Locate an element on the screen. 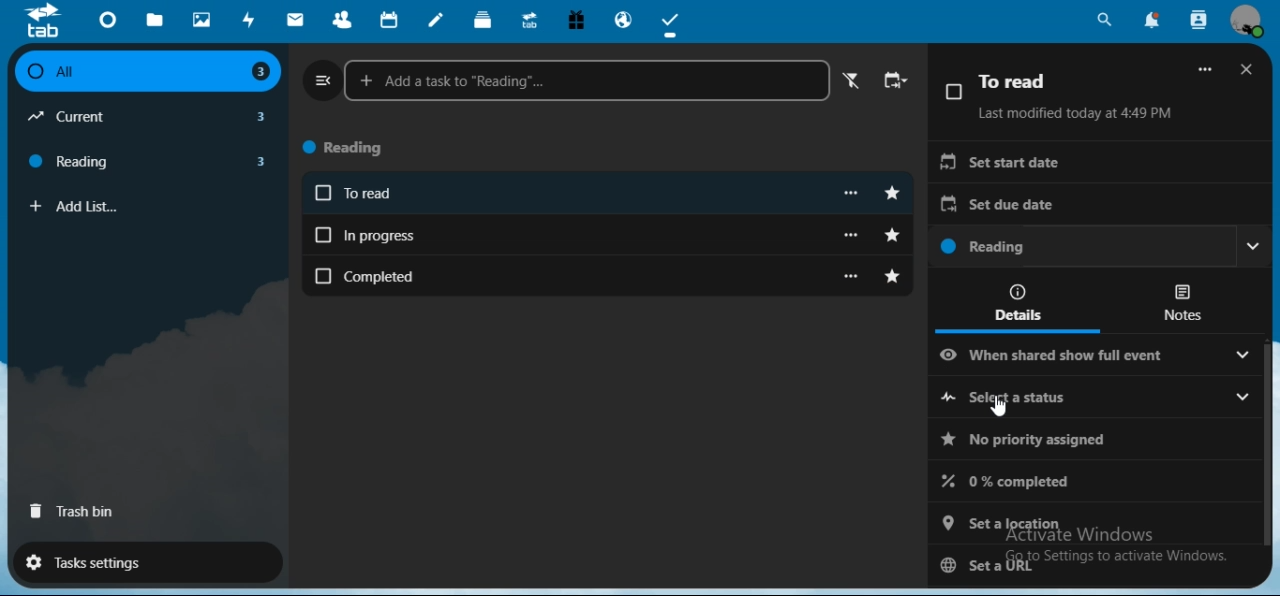 This screenshot has height=596, width=1280. free trial is located at coordinates (577, 19).